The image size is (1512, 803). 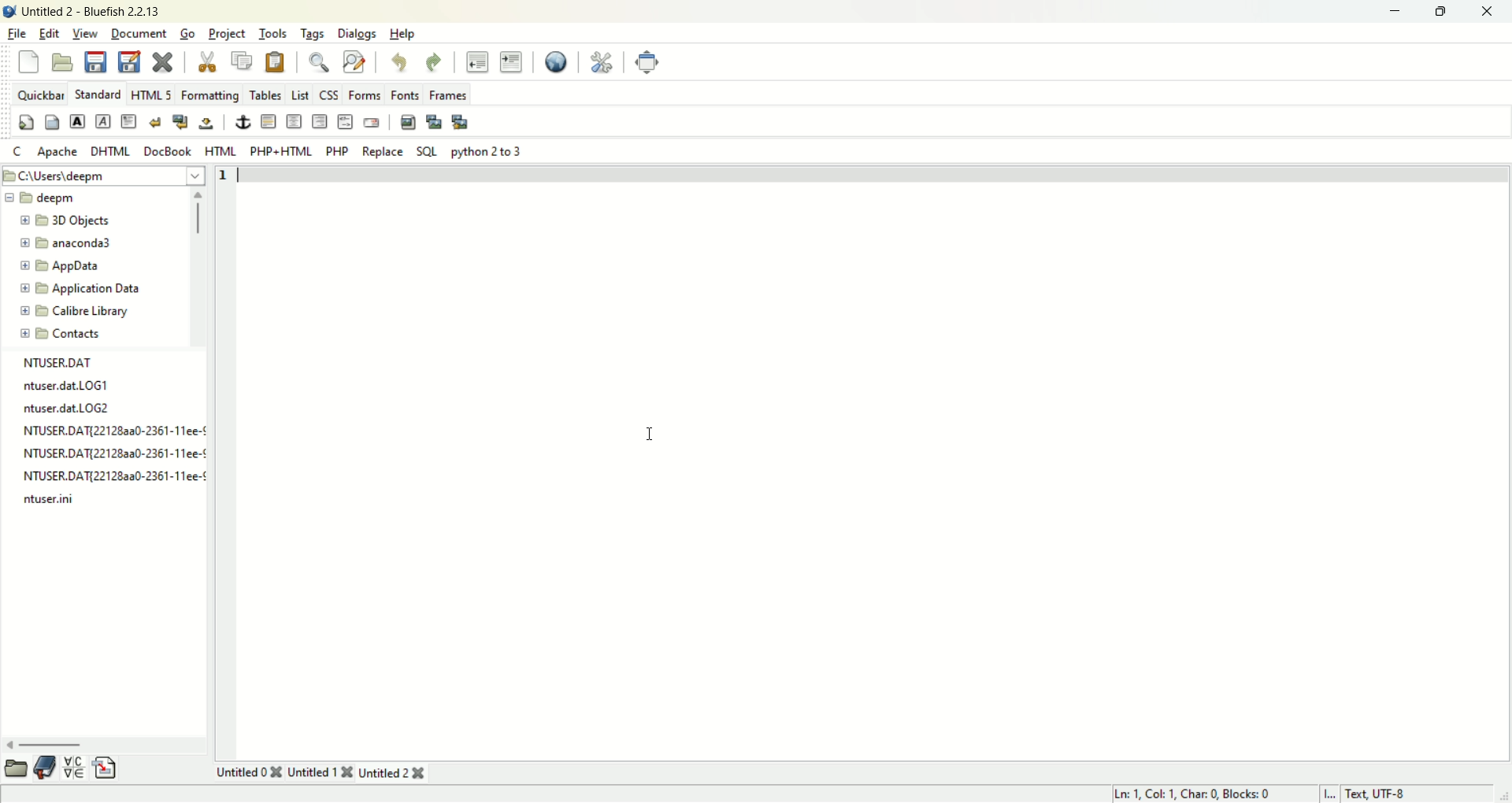 I want to click on standard, so click(x=100, y=94).